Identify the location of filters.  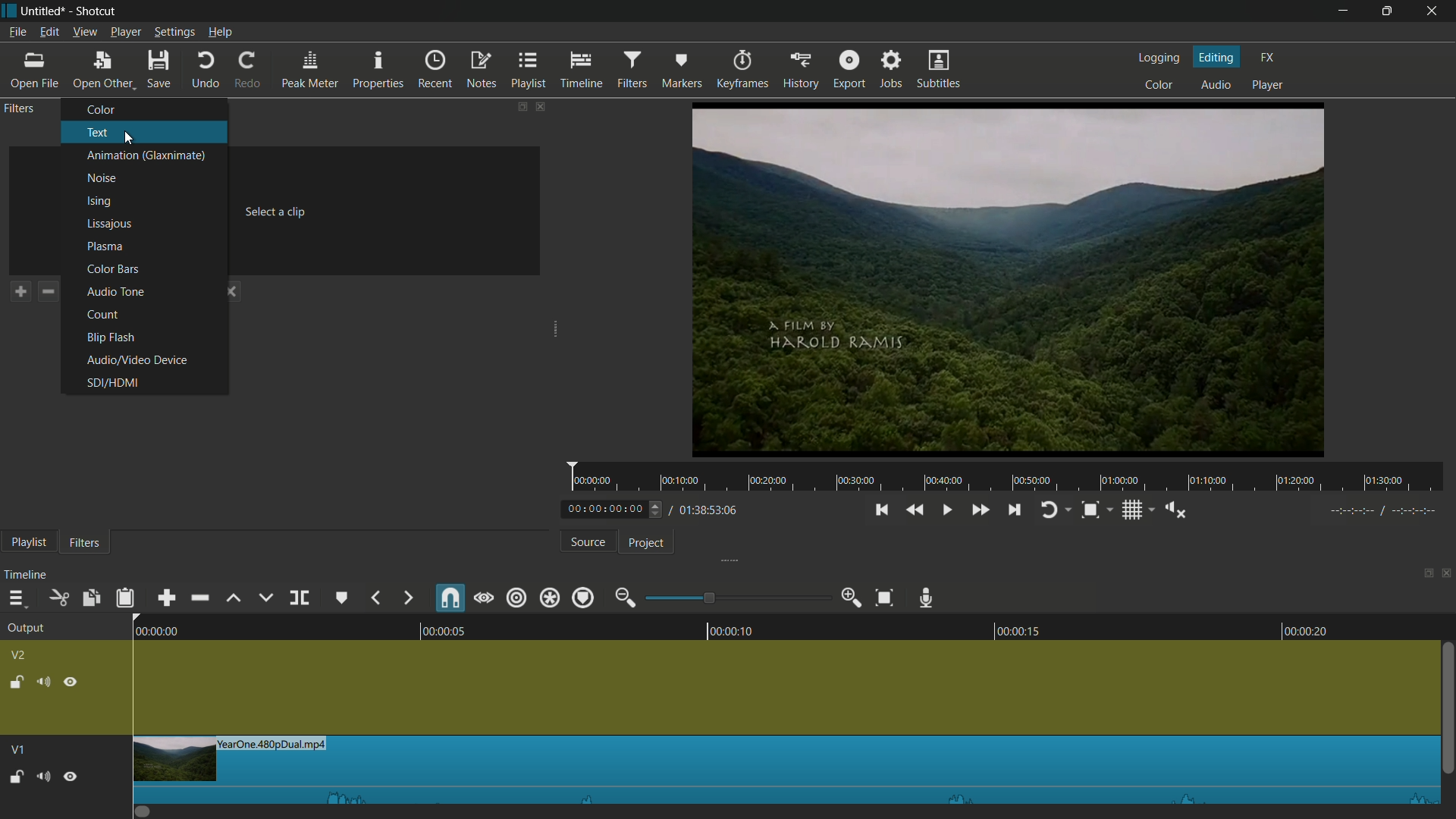
(88, 542).